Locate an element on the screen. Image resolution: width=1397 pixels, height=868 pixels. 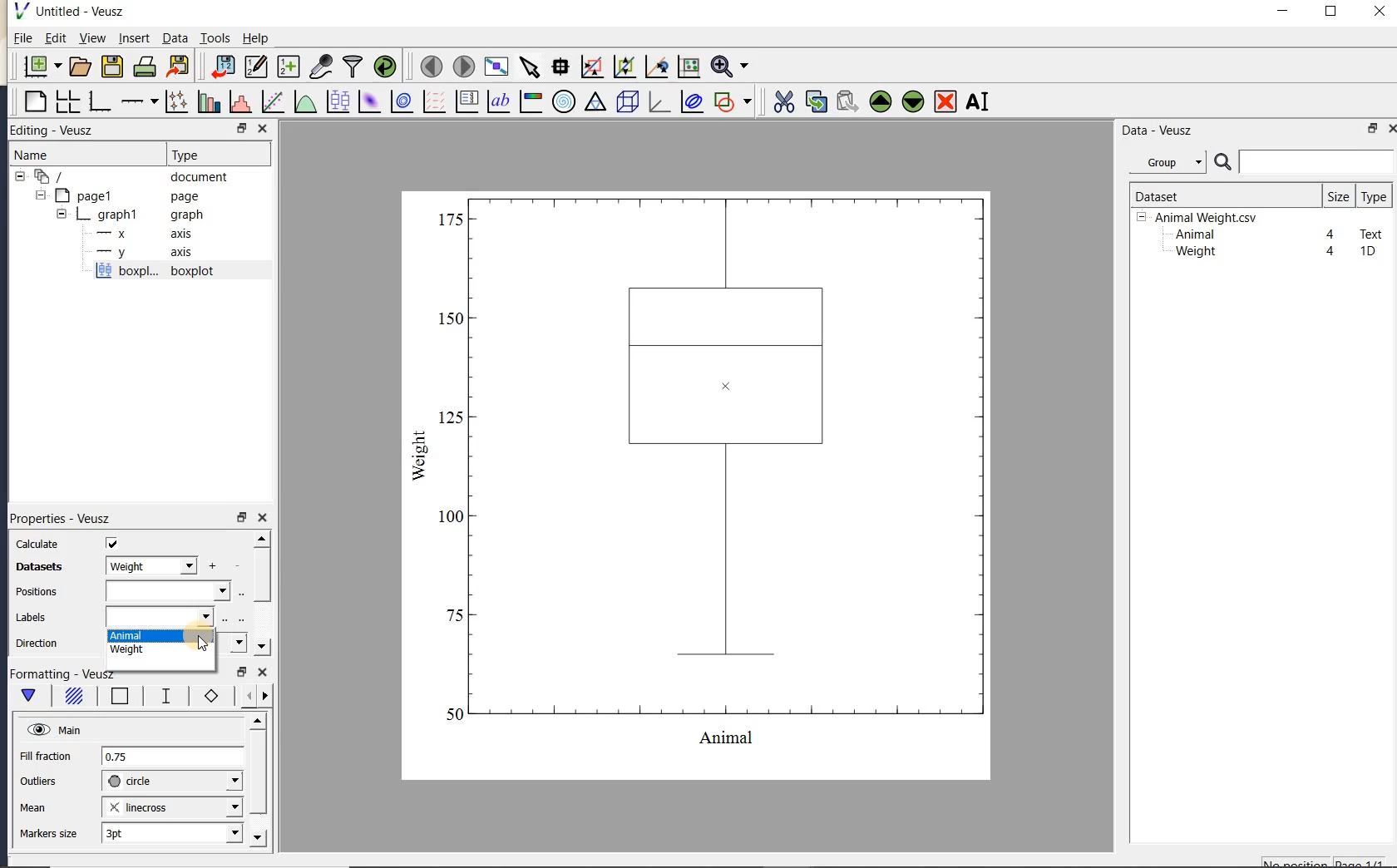
boxplot is located at coordinates (174, 273).